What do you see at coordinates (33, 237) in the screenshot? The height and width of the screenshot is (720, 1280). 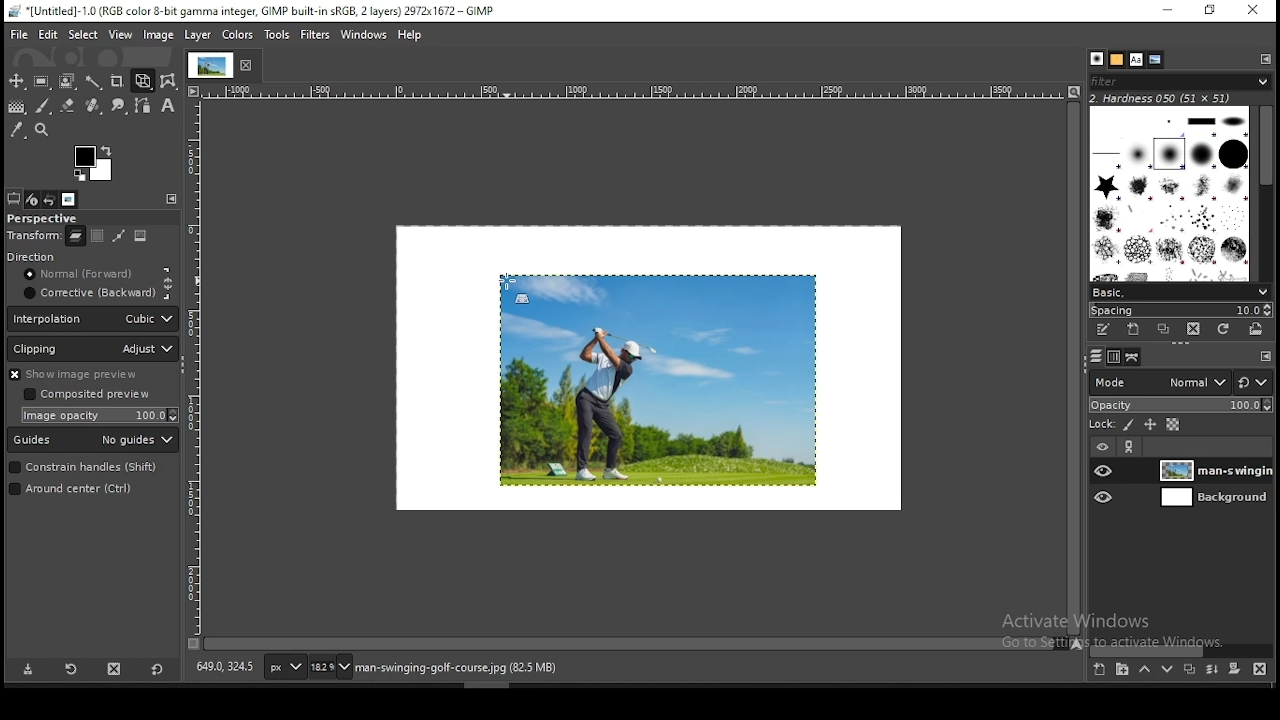 I see `transform` at bounding box center [33, 237].